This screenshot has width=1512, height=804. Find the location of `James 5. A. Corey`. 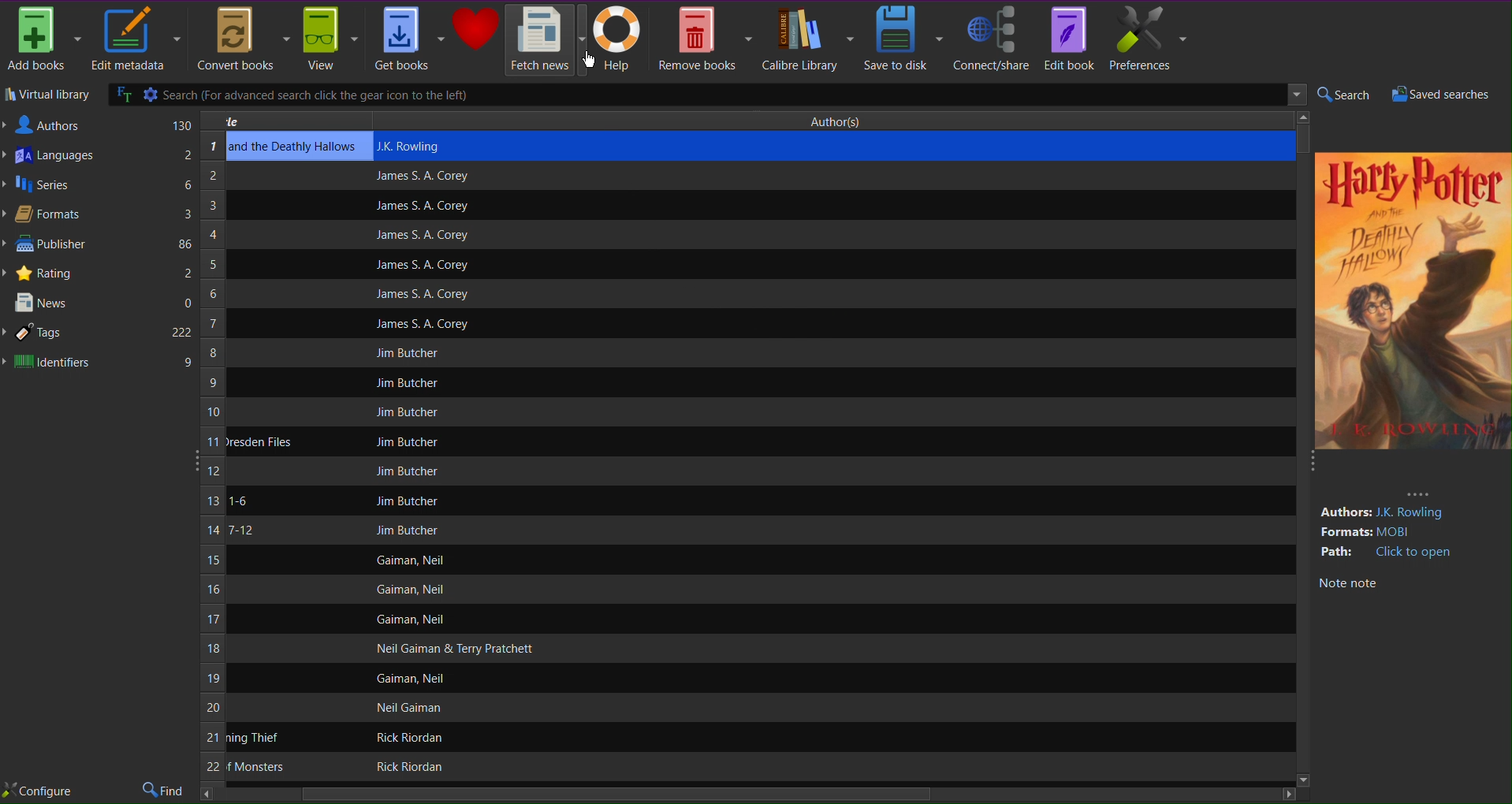

James 5. A. Corey is located at coordinates (412, 293).